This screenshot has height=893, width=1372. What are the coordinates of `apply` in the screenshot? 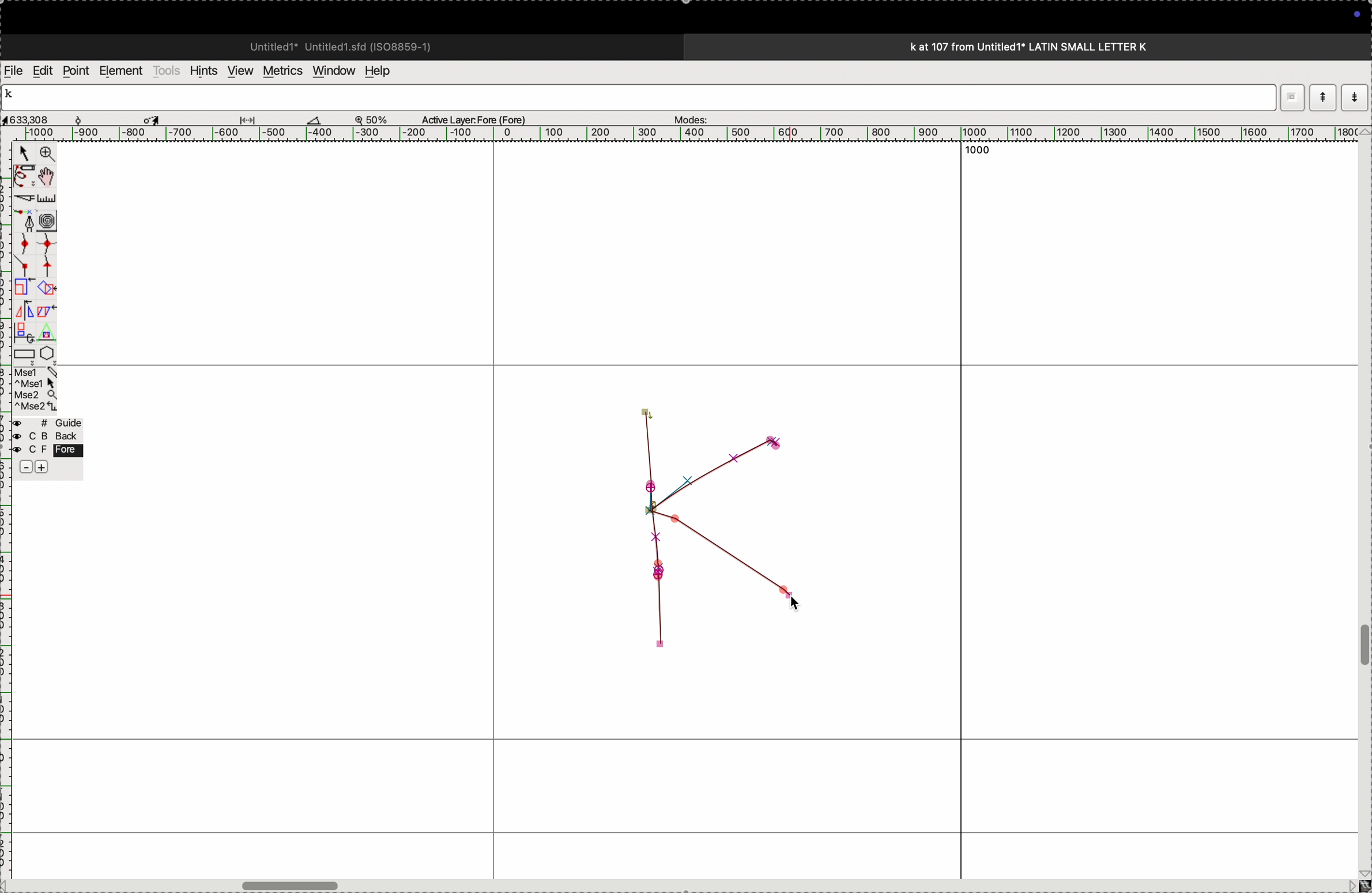 It's located at (47, 319).